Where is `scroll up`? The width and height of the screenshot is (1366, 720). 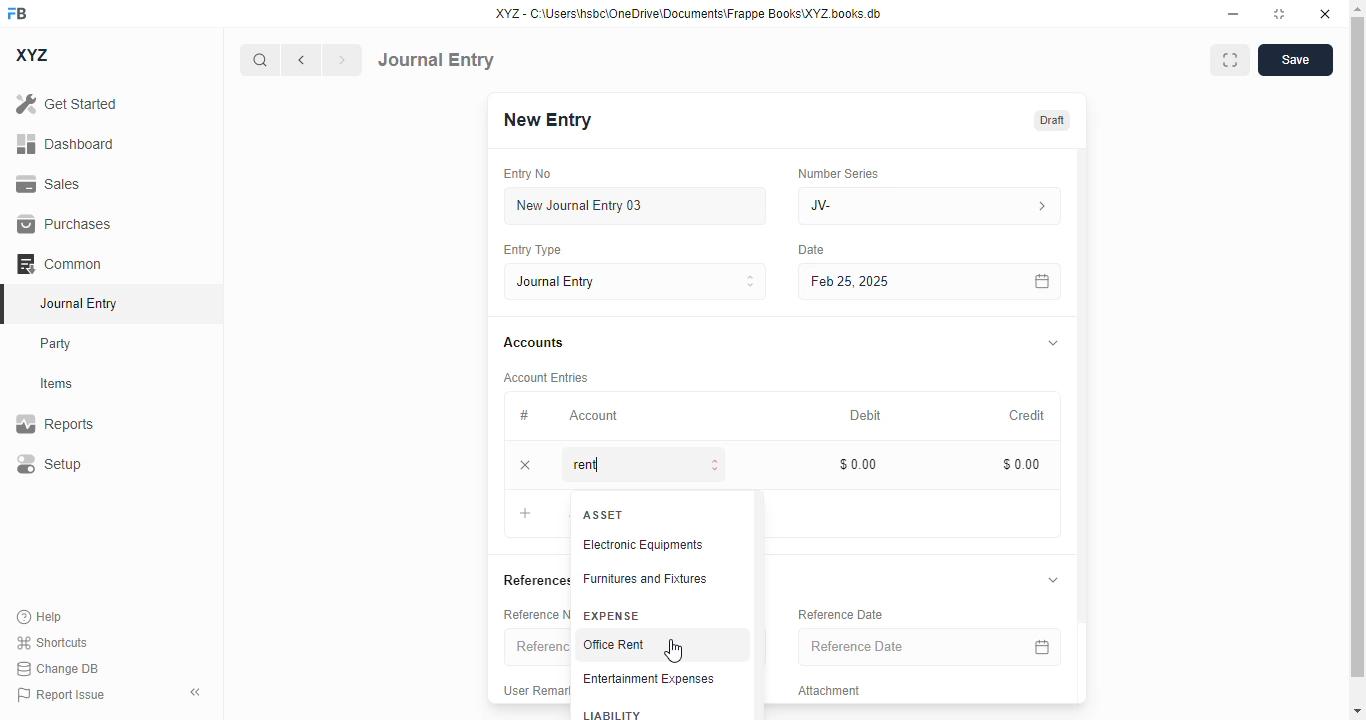 scroll up is located at coordinates (1357, 9).